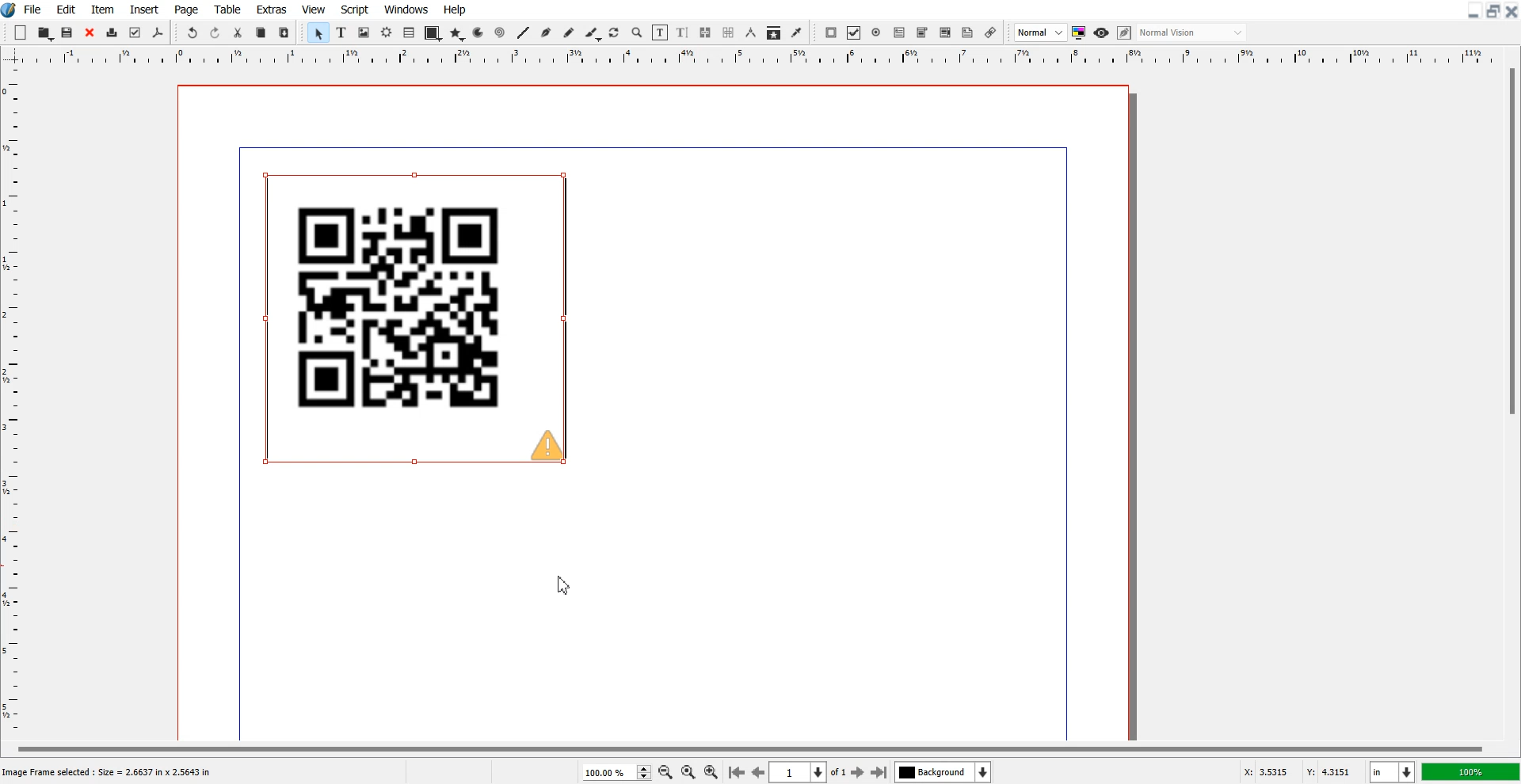  Describe the element at coordinates (102, 9) in the screenshot. I see `Item` at that location.